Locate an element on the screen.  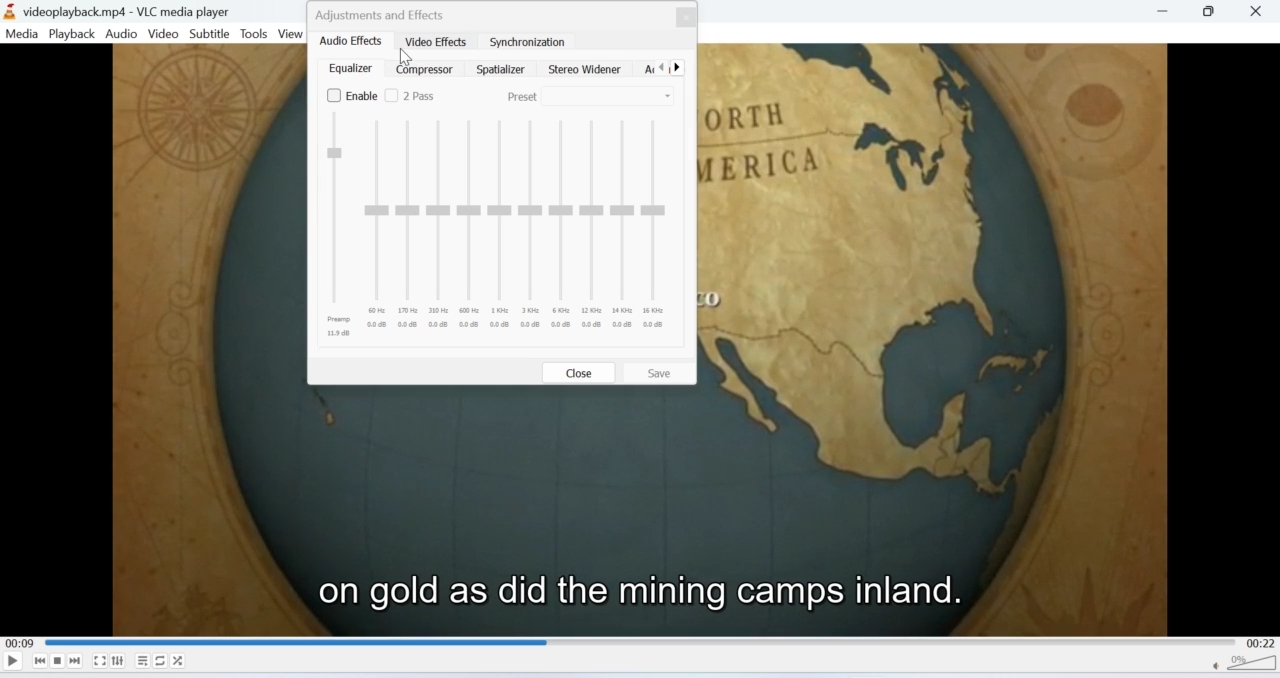
00:22 is located at coordinates (1263, 643).